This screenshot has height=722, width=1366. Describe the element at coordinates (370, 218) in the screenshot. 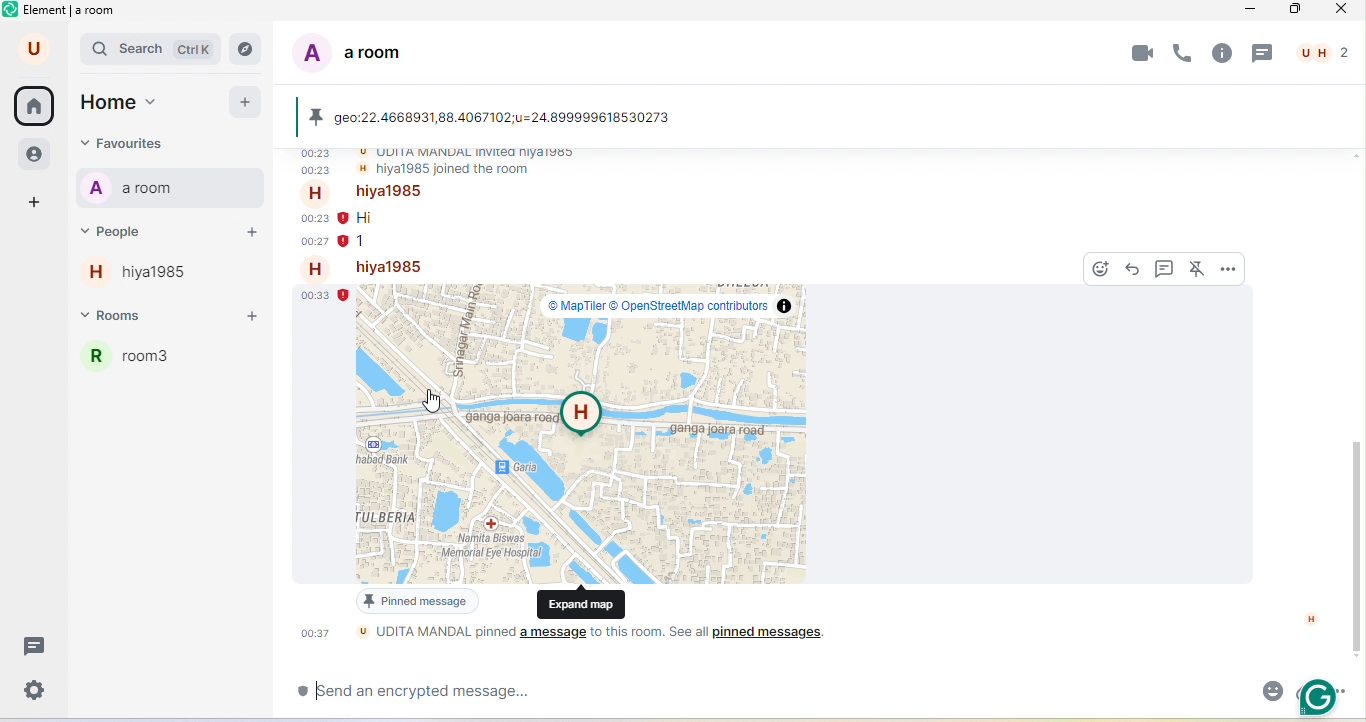

I see `hi` at that location.